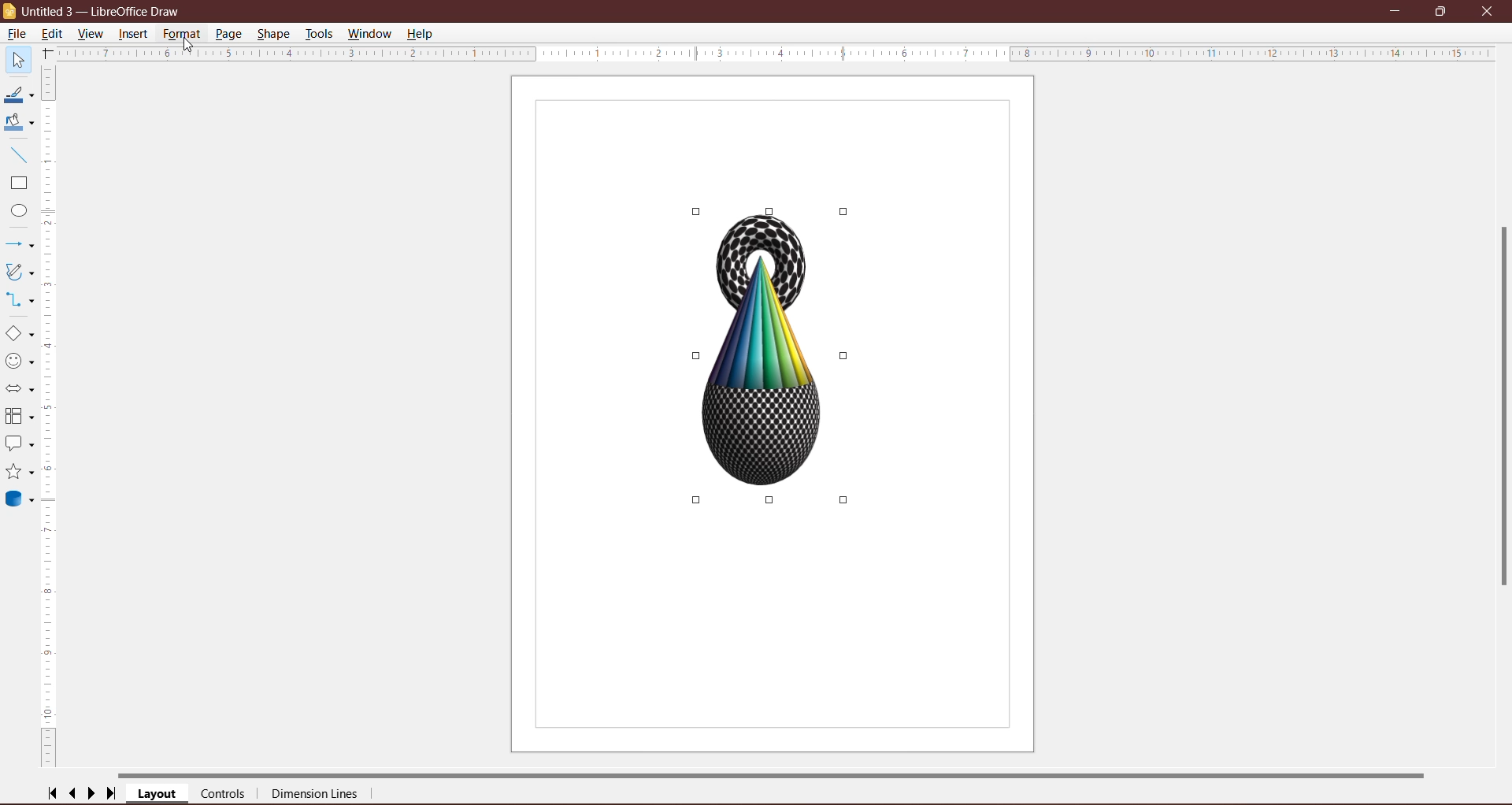 This screenshot has height=805, width=1512. Describe the element at coordinates (19, 333) in the screenshot. I see `Basic Shapes` at that location.